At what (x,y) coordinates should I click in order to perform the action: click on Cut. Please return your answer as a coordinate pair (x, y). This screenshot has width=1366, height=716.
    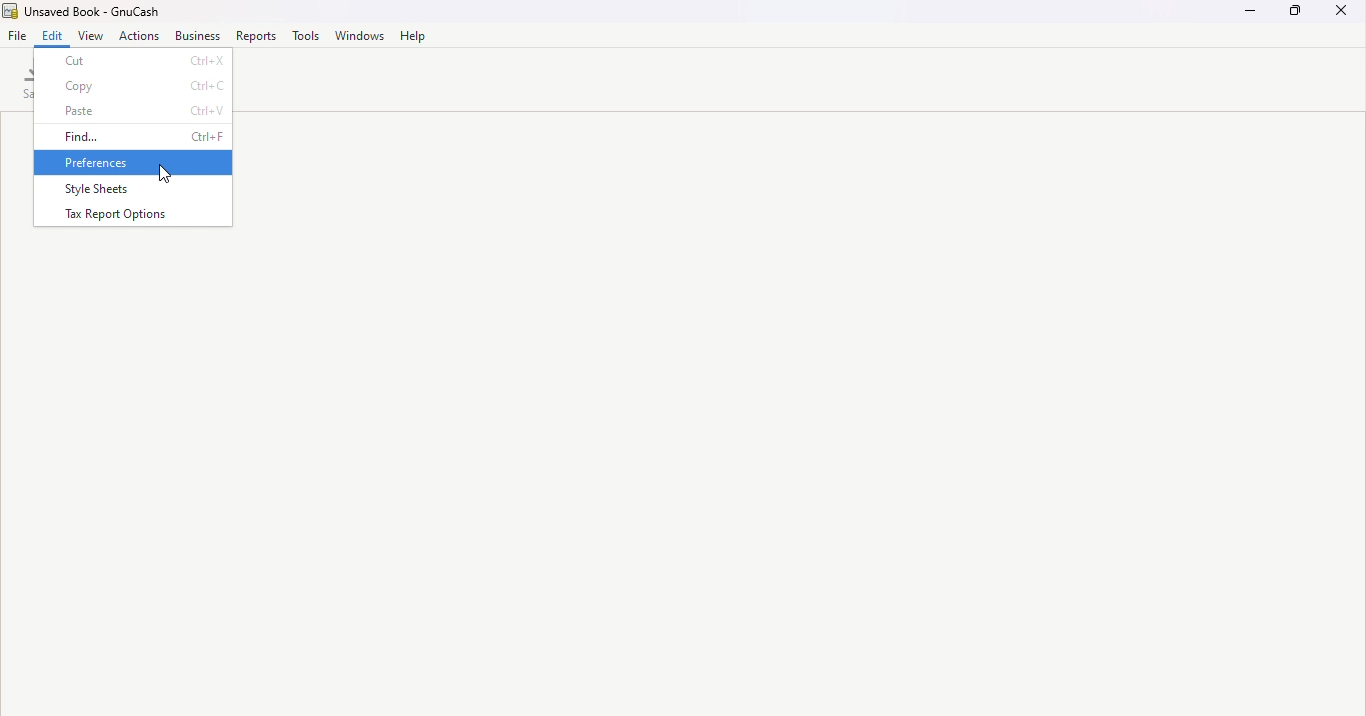
    Looking at the image, I should click on (133, 60).